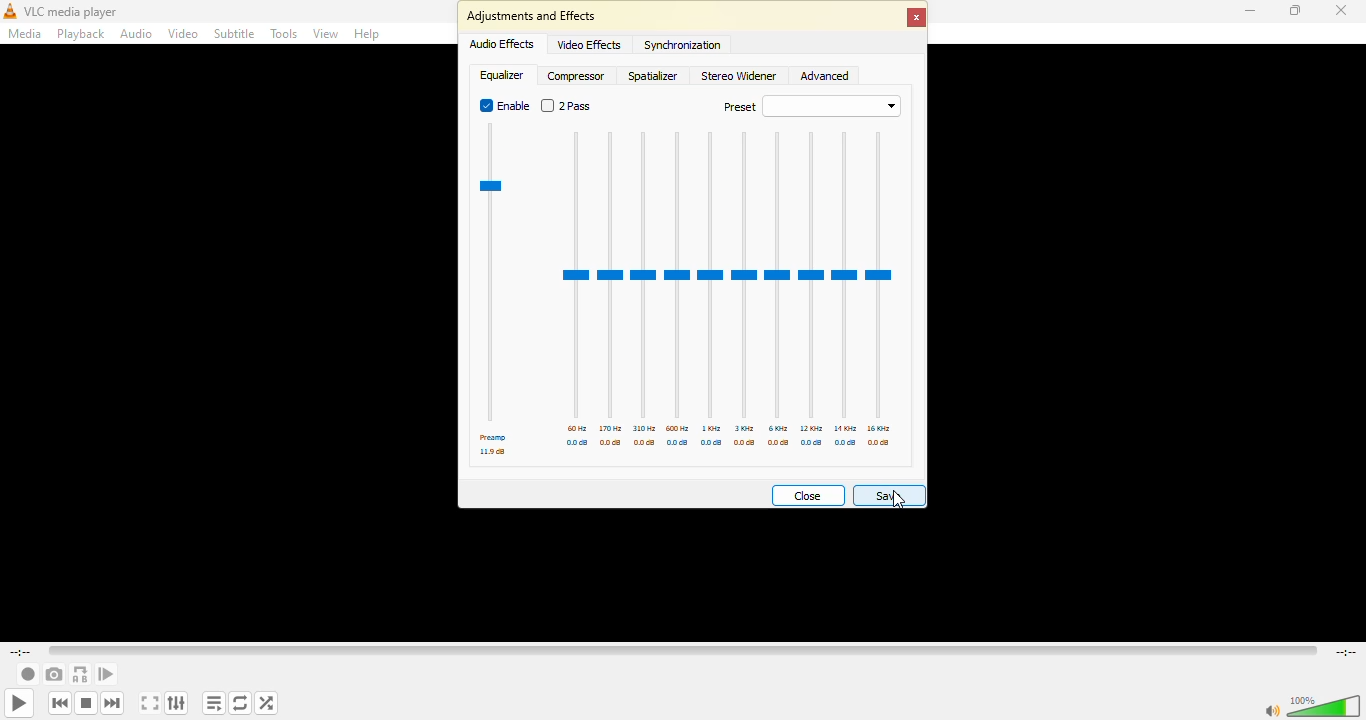  What do you see at coordinates (59, 703) in the screenshot?
I see `previous media in playlist` at bounding box center [59, 703].